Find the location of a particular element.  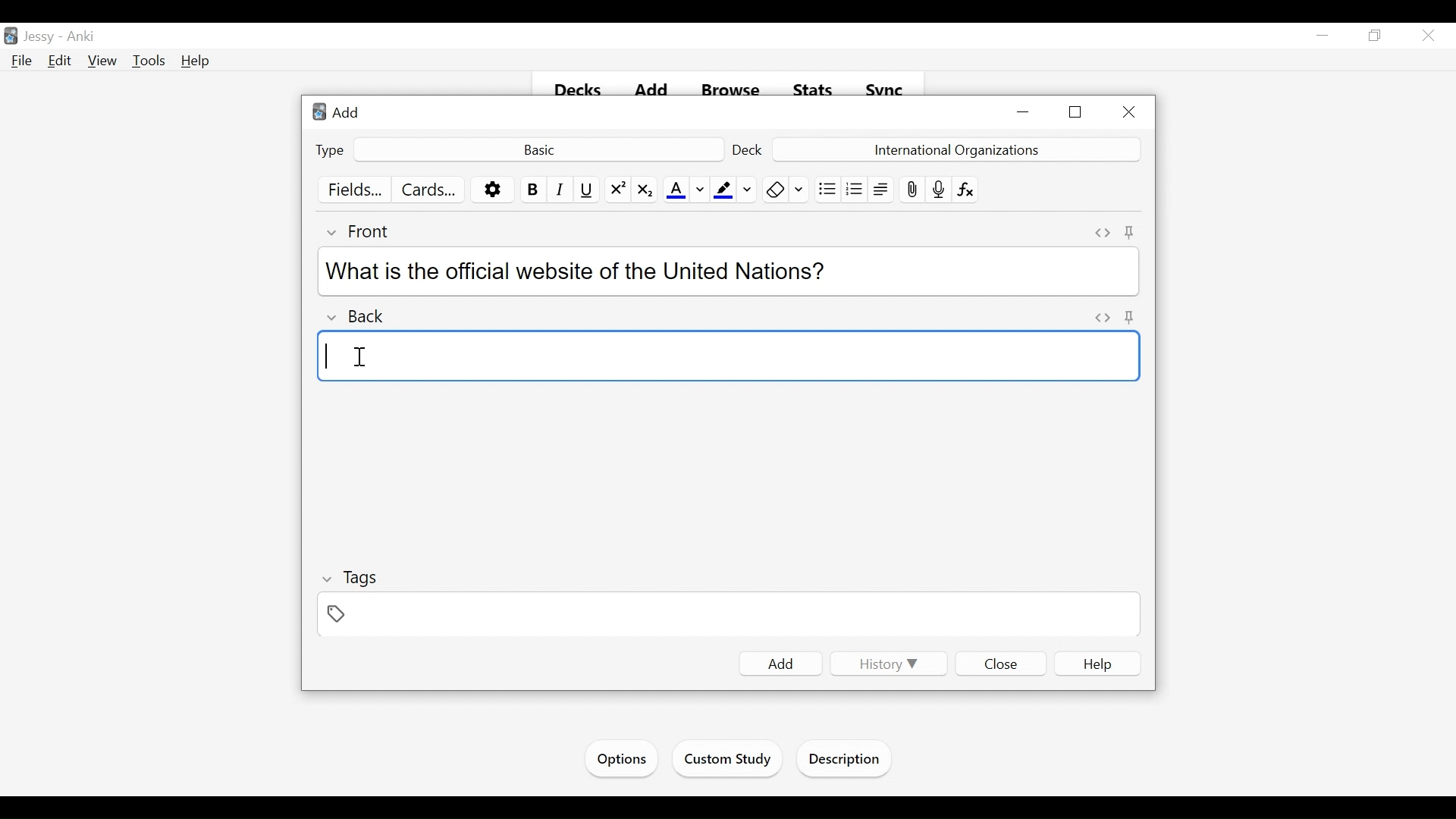

Deck Name is located at coordinates (955, 149).